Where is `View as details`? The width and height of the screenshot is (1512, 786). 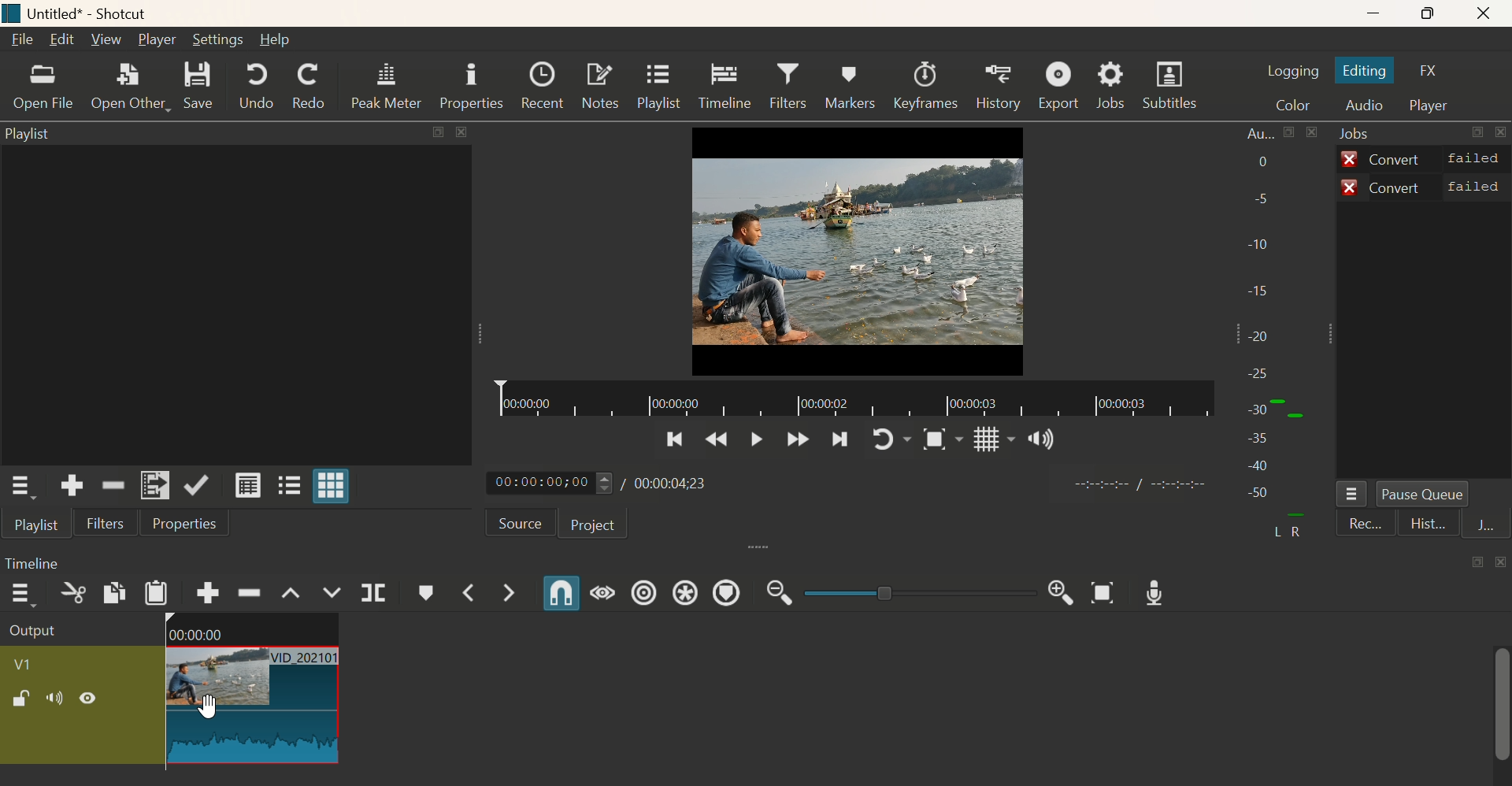
View as details is located at coordinates (250, 487).